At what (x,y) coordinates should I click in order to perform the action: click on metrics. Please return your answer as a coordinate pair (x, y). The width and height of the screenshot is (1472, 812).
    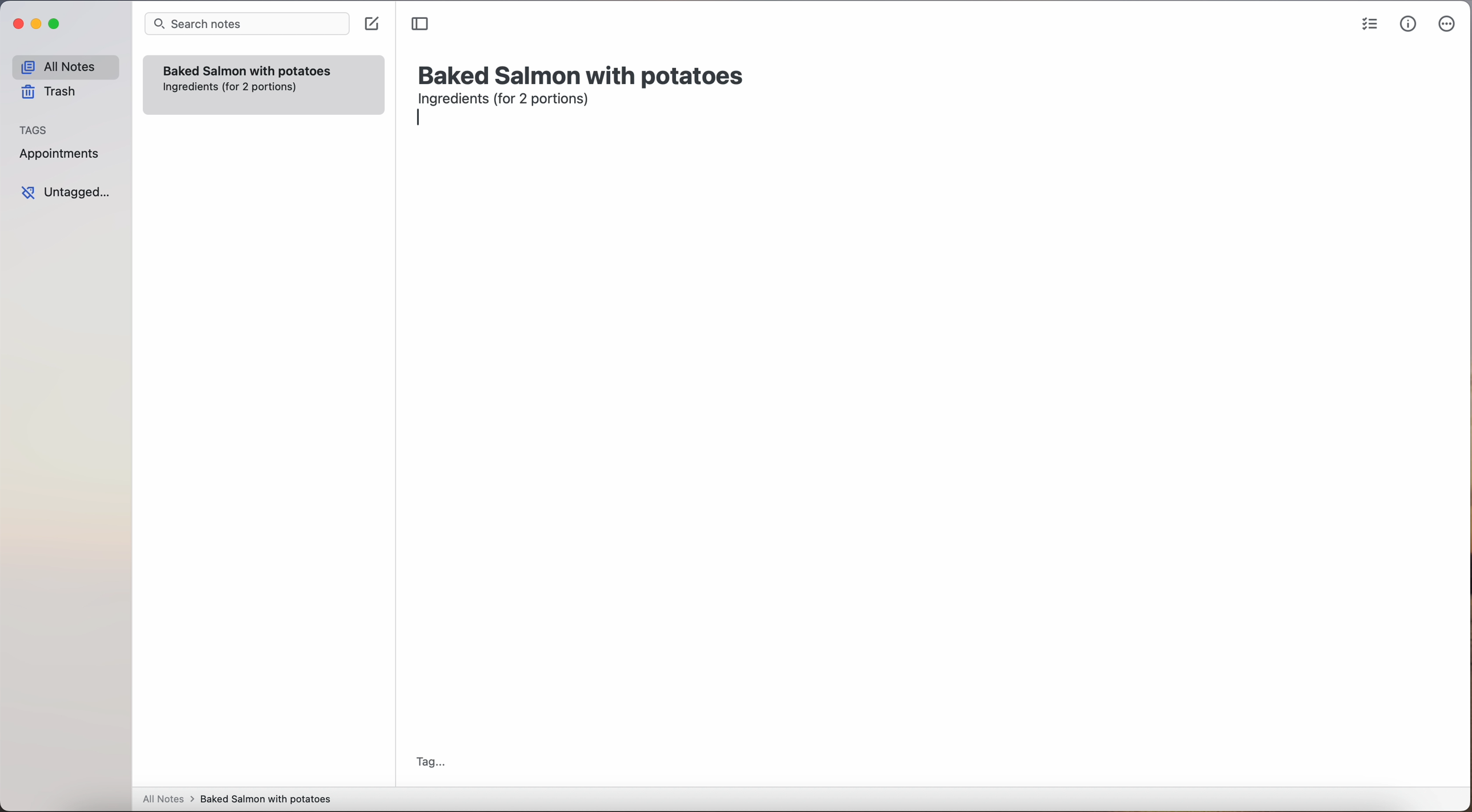
    Looking at the image, I should click on (1407, 24).